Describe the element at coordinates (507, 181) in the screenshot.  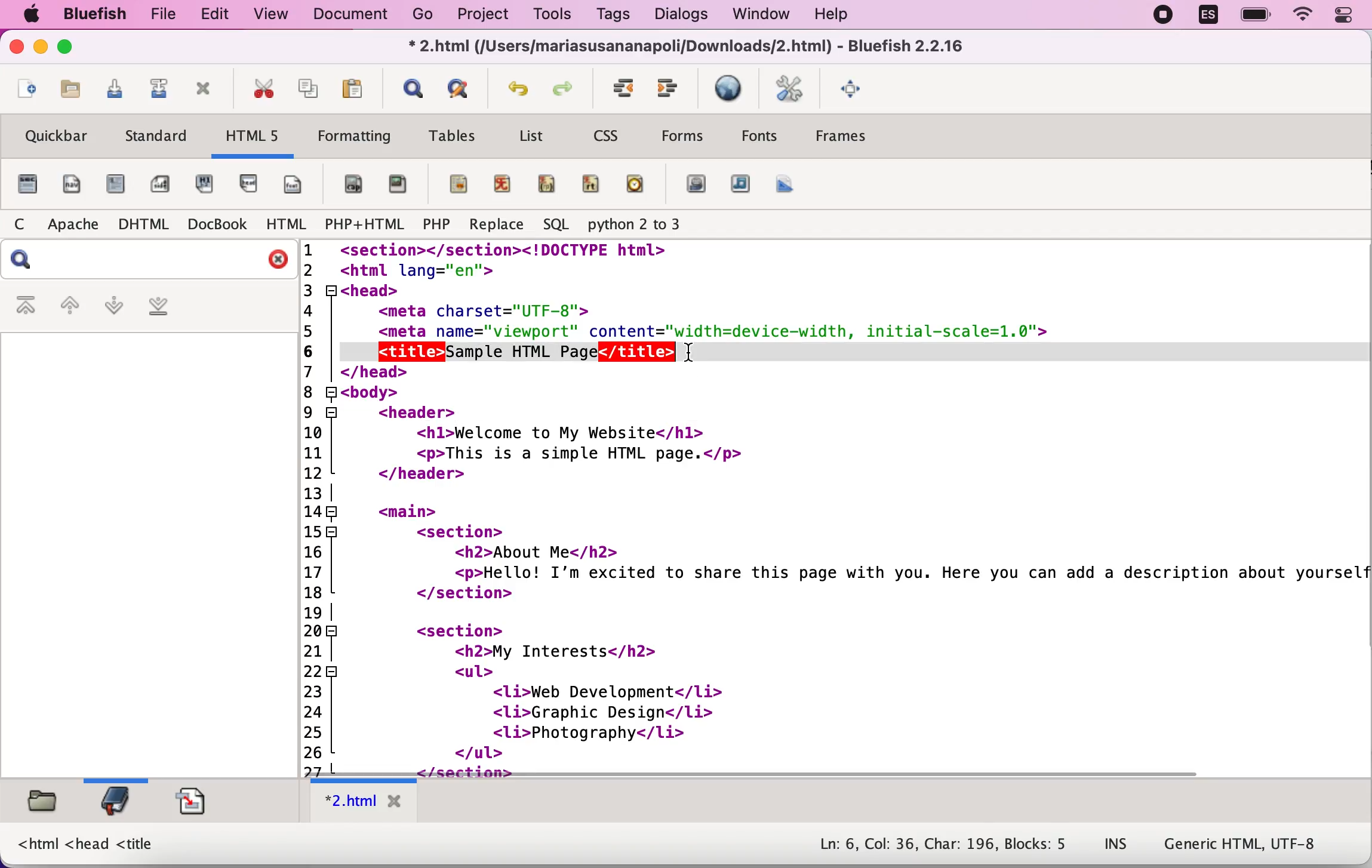
I see `ruby` at that location.